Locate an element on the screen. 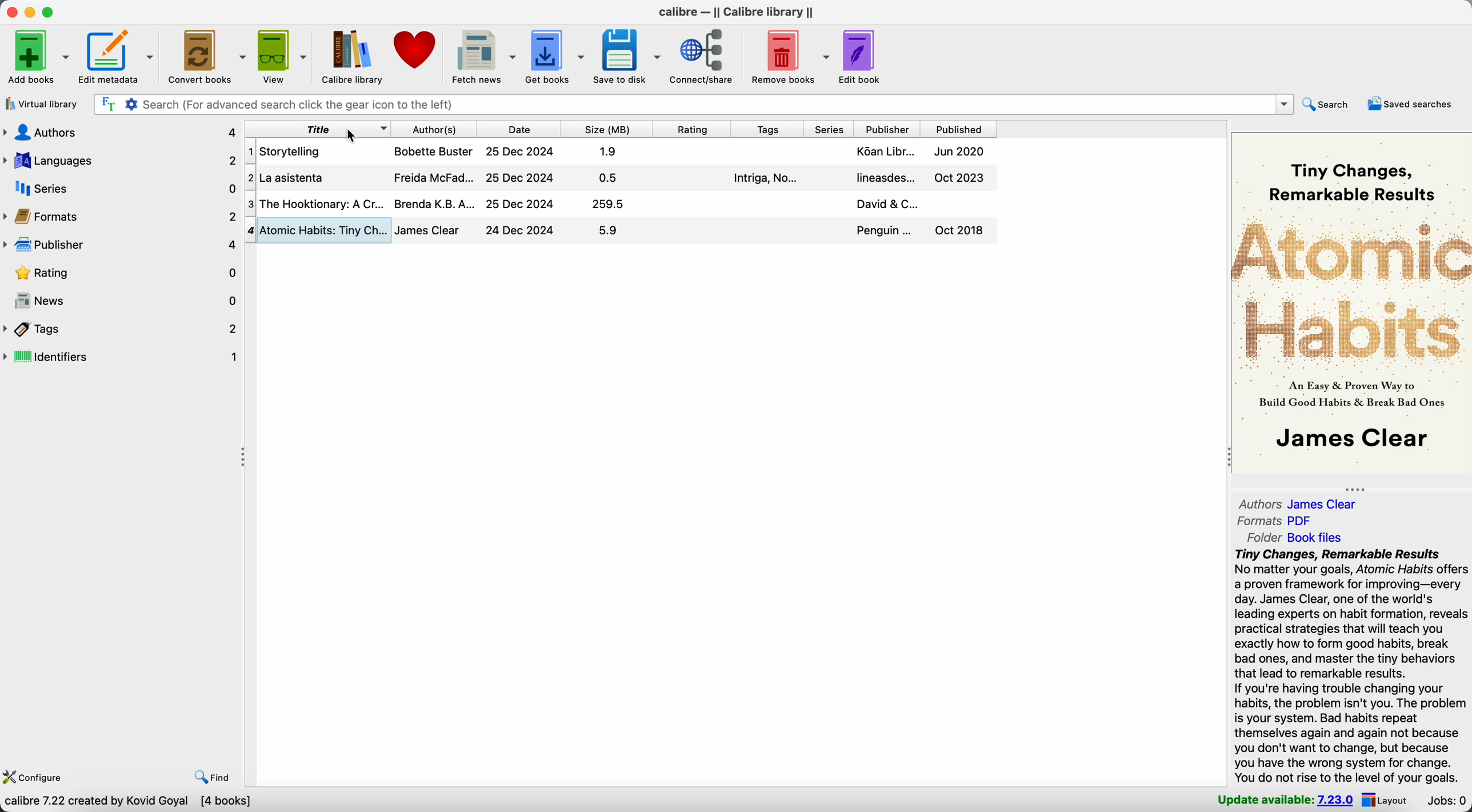 This screenshot has width=1472, height=812. 4 is located at coordinates (251, 230).